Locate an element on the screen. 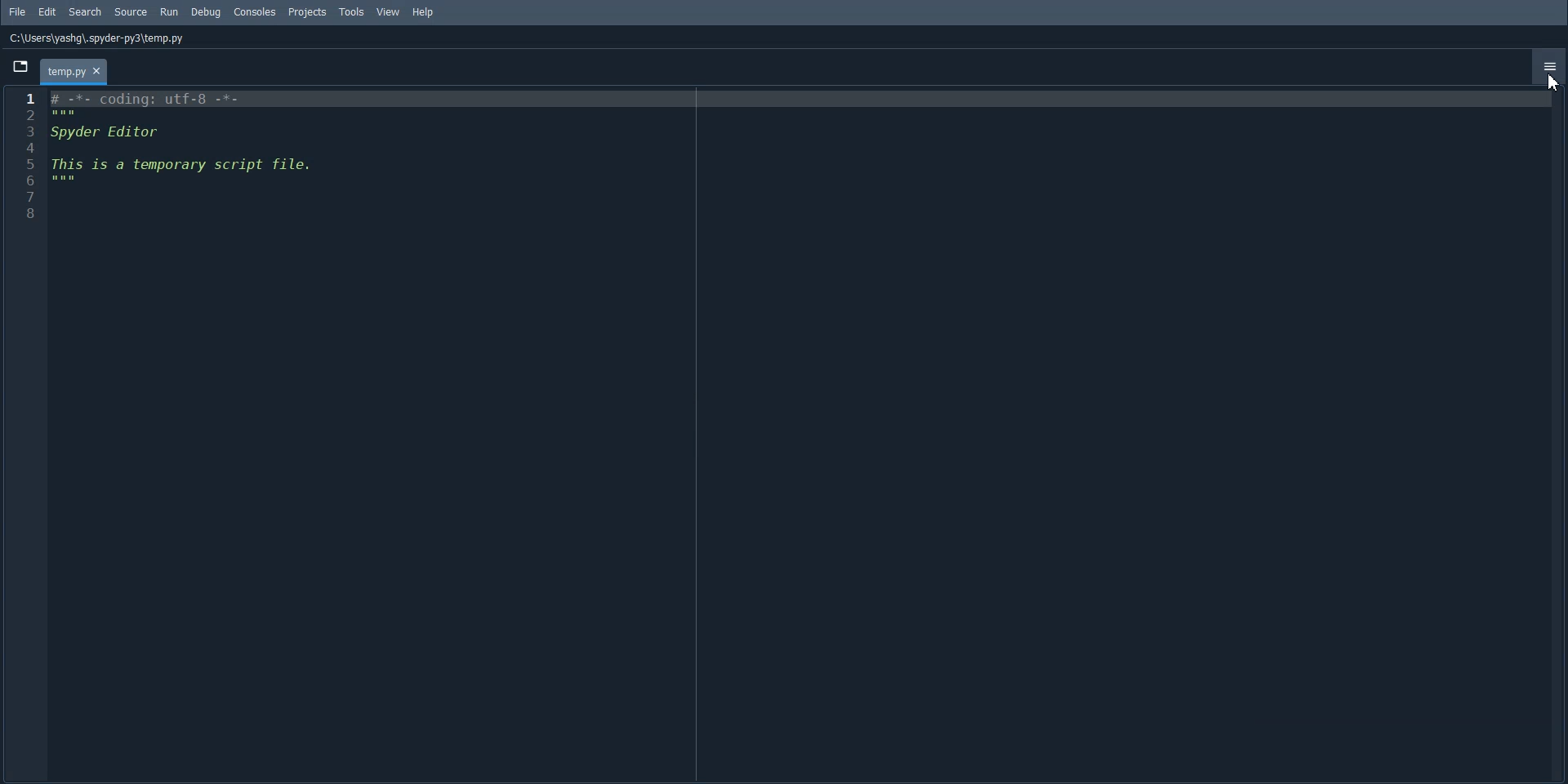 The width and height of the screenshot is (1568, 784). Browse Tab is located at coordinates (20, 66).